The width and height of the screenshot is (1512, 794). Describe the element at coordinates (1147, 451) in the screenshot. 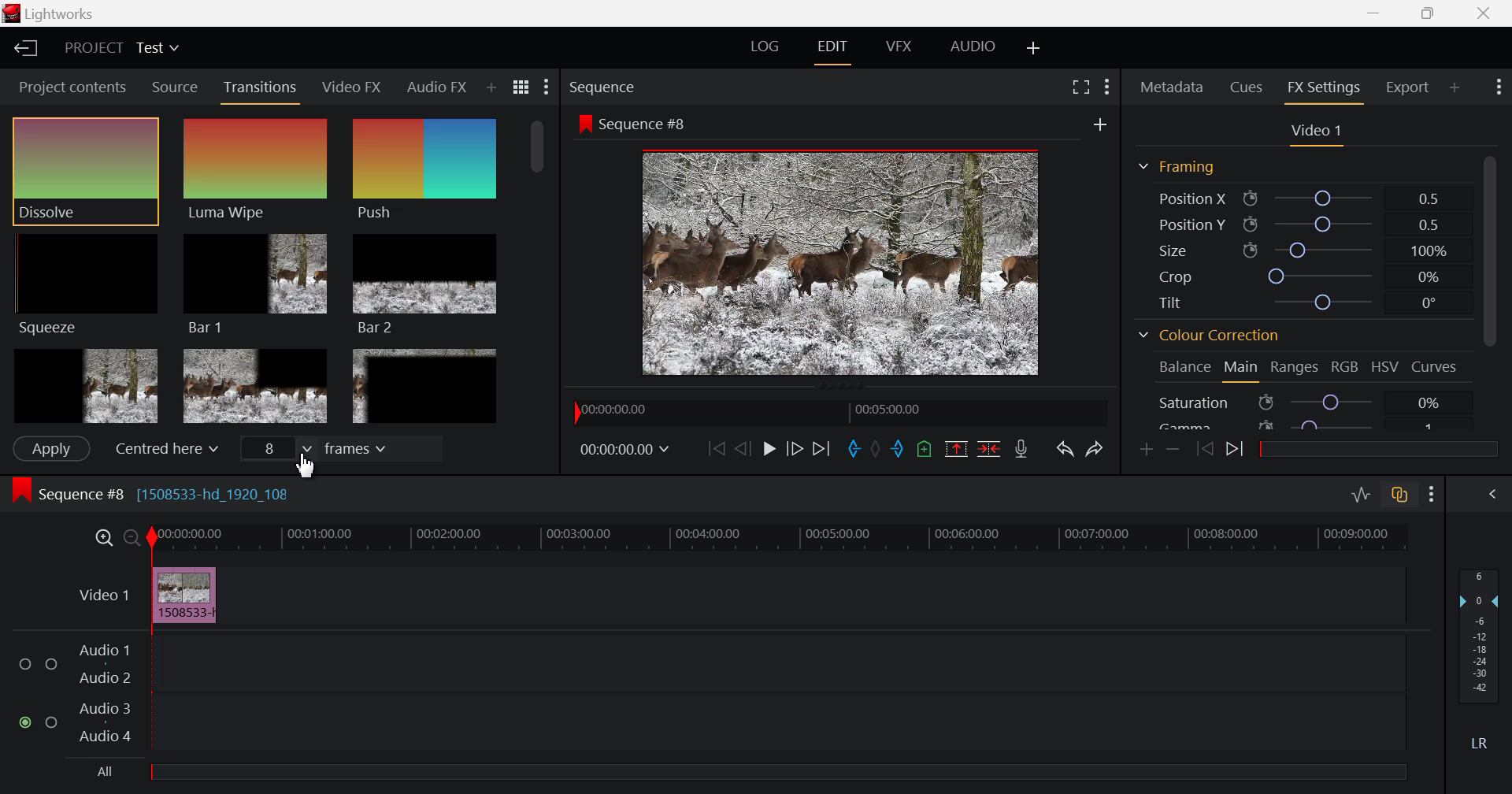

I see `Add keyframe` at that location.